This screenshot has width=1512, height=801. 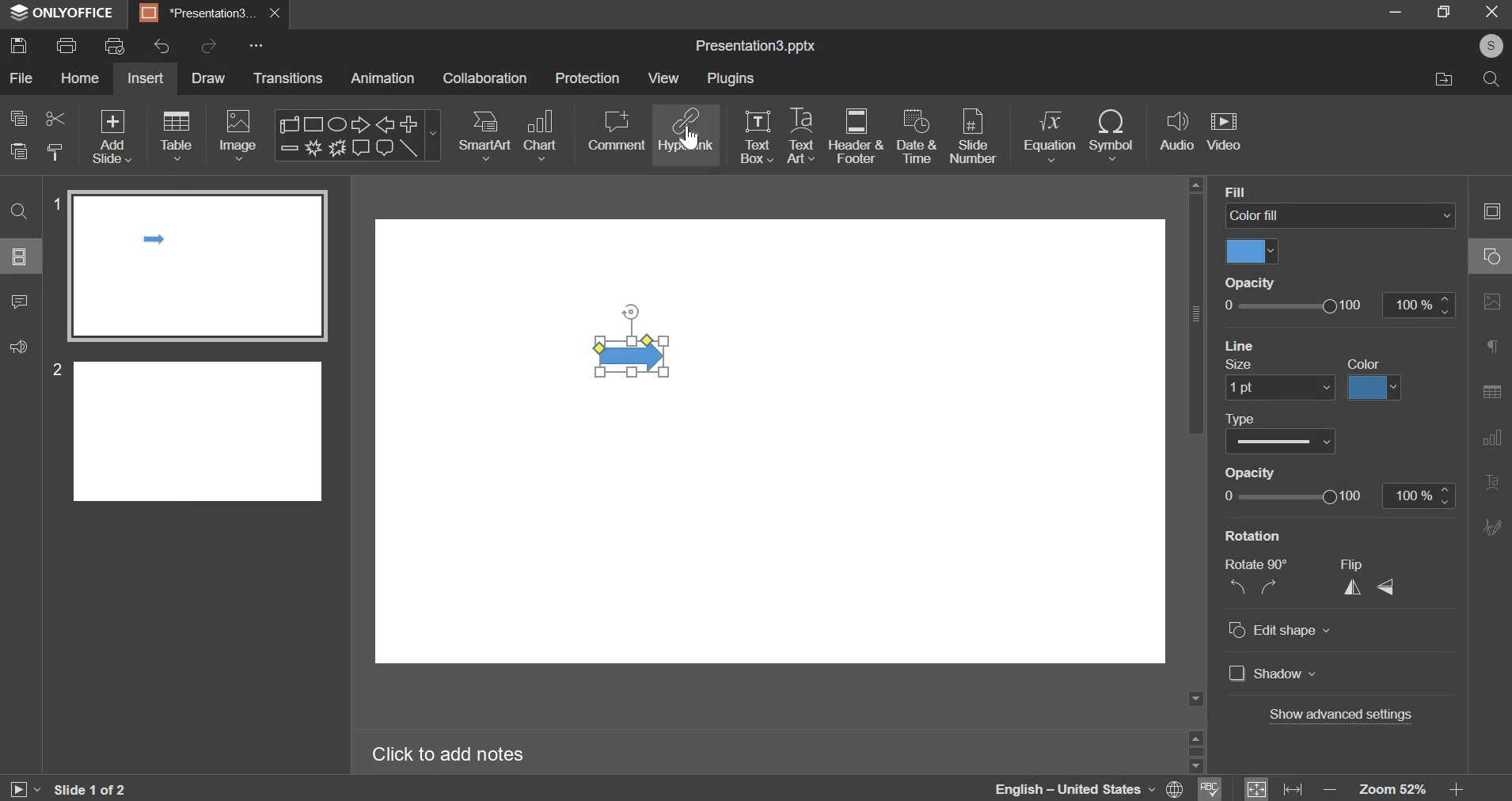 I want to click on rotate clockwise, so click(x=1267, y=586).